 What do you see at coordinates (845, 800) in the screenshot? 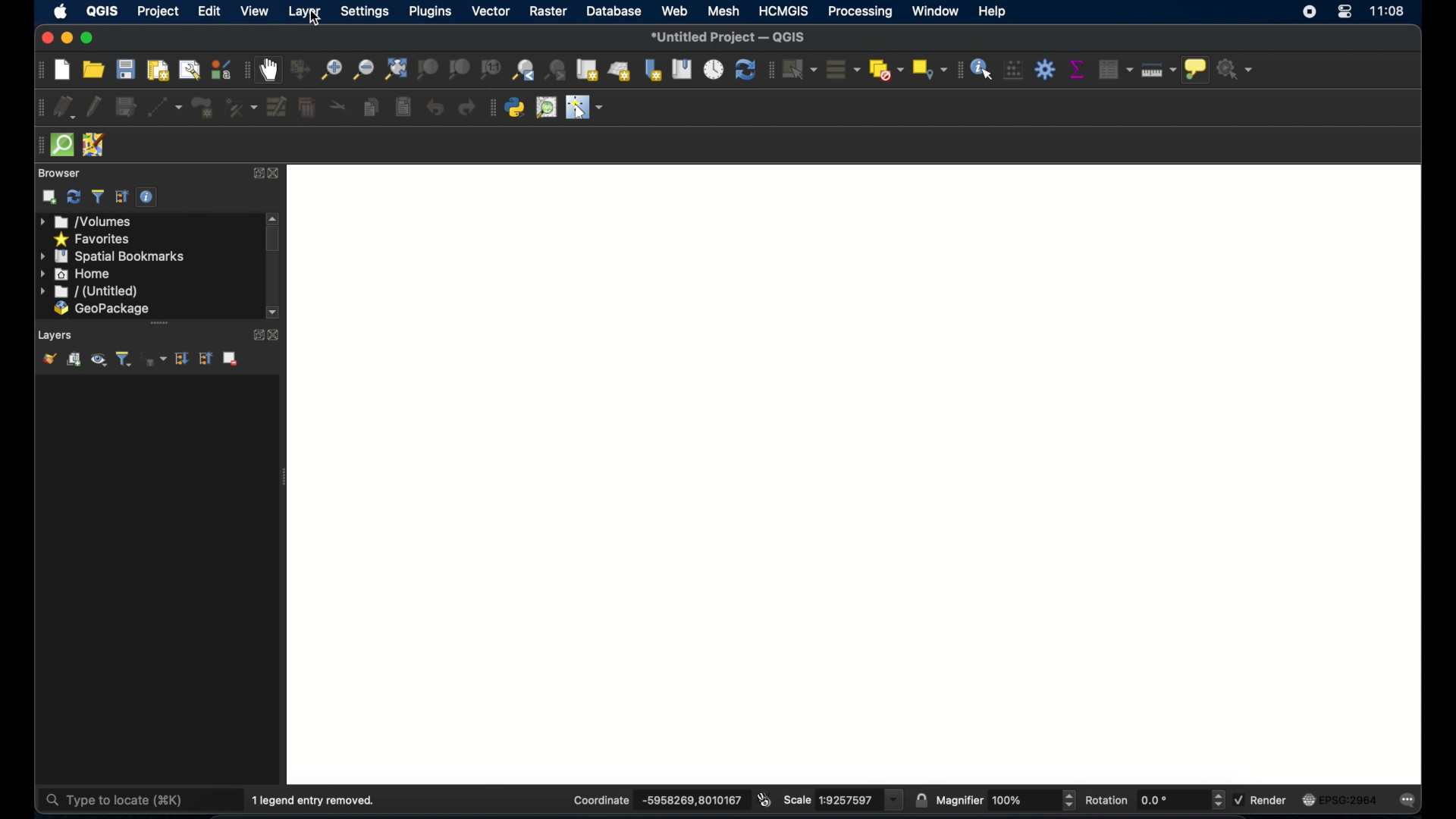
I see `scale` at bounding box center [845, 800].